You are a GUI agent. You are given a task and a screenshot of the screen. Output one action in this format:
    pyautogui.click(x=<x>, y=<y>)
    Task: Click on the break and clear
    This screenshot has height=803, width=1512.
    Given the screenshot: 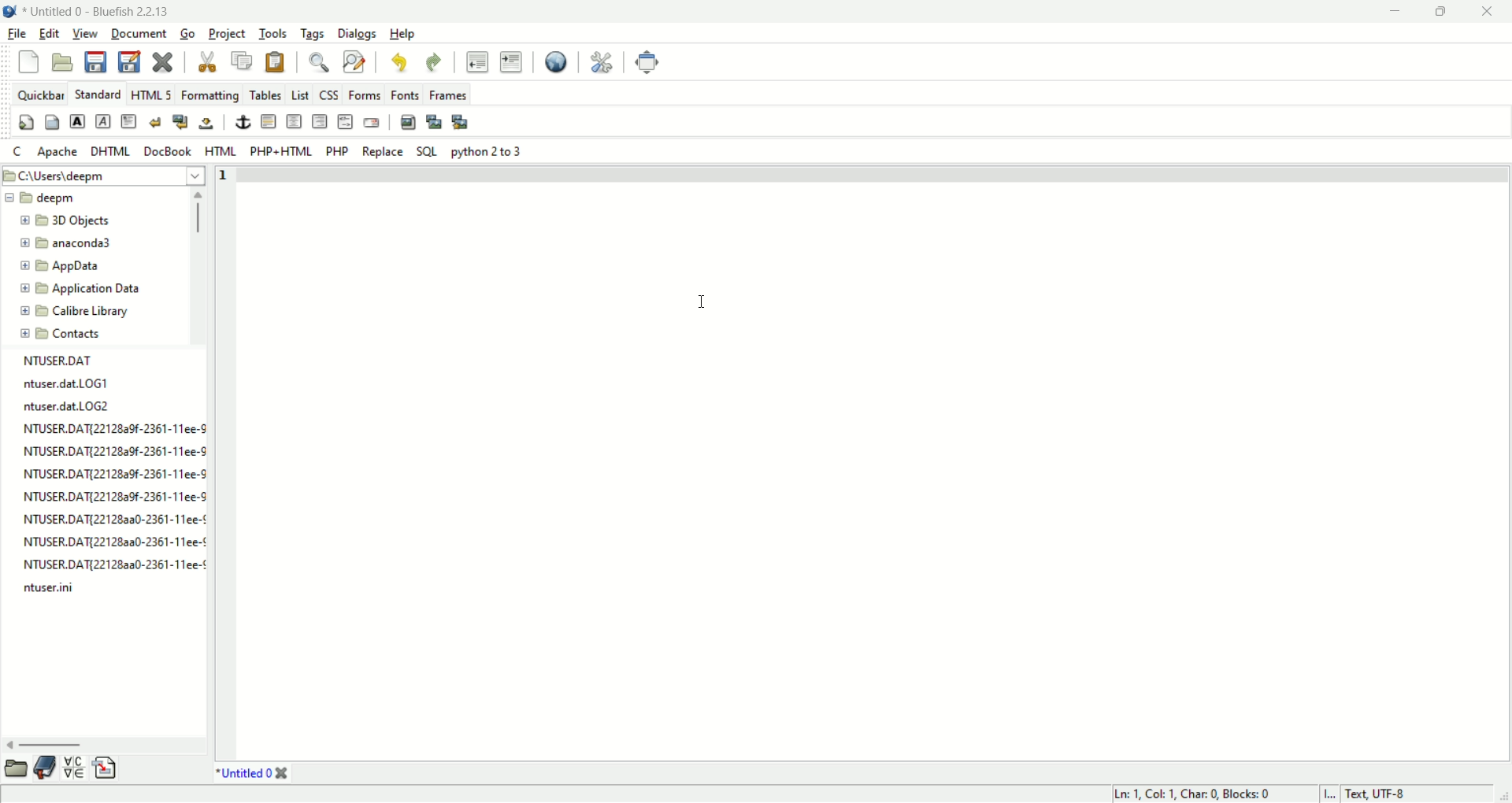 What is the action you would take?
    pyautogui.click(x=180, y=122)
    